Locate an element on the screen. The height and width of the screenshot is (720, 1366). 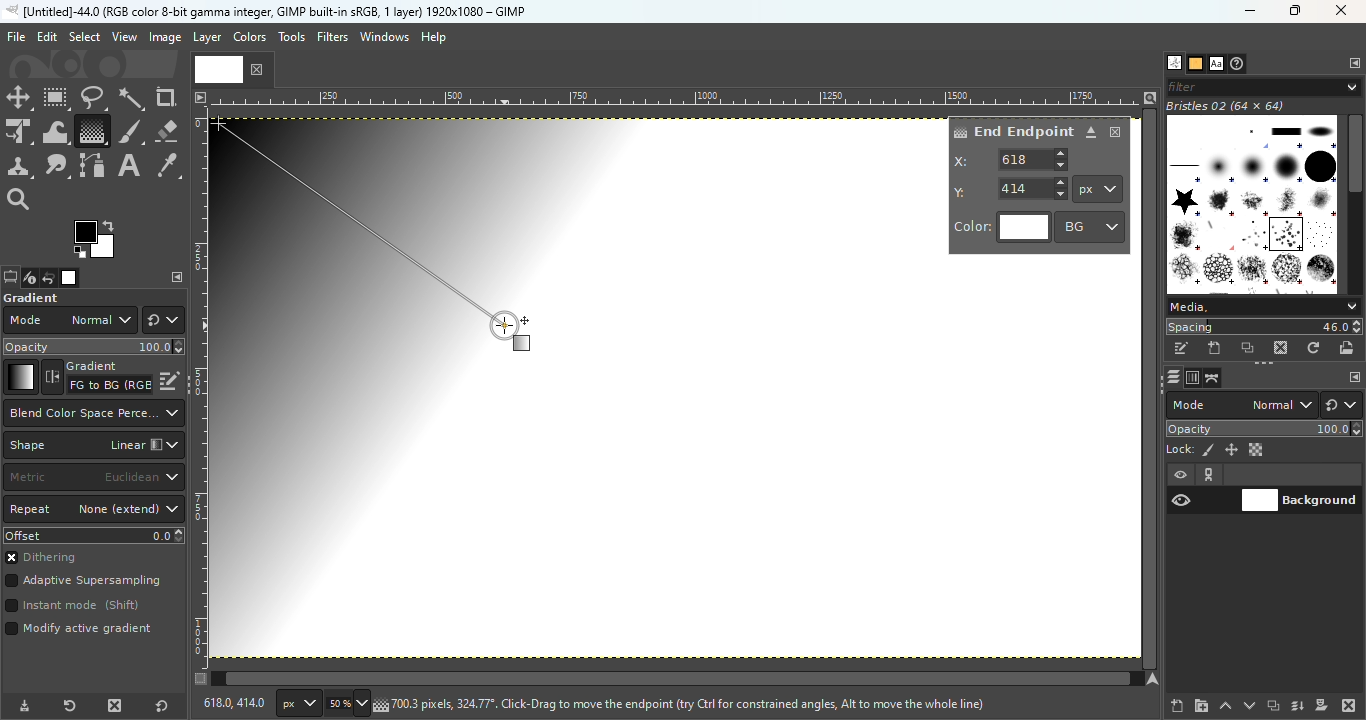
Color picker tool is located at coordinates (168, 167).